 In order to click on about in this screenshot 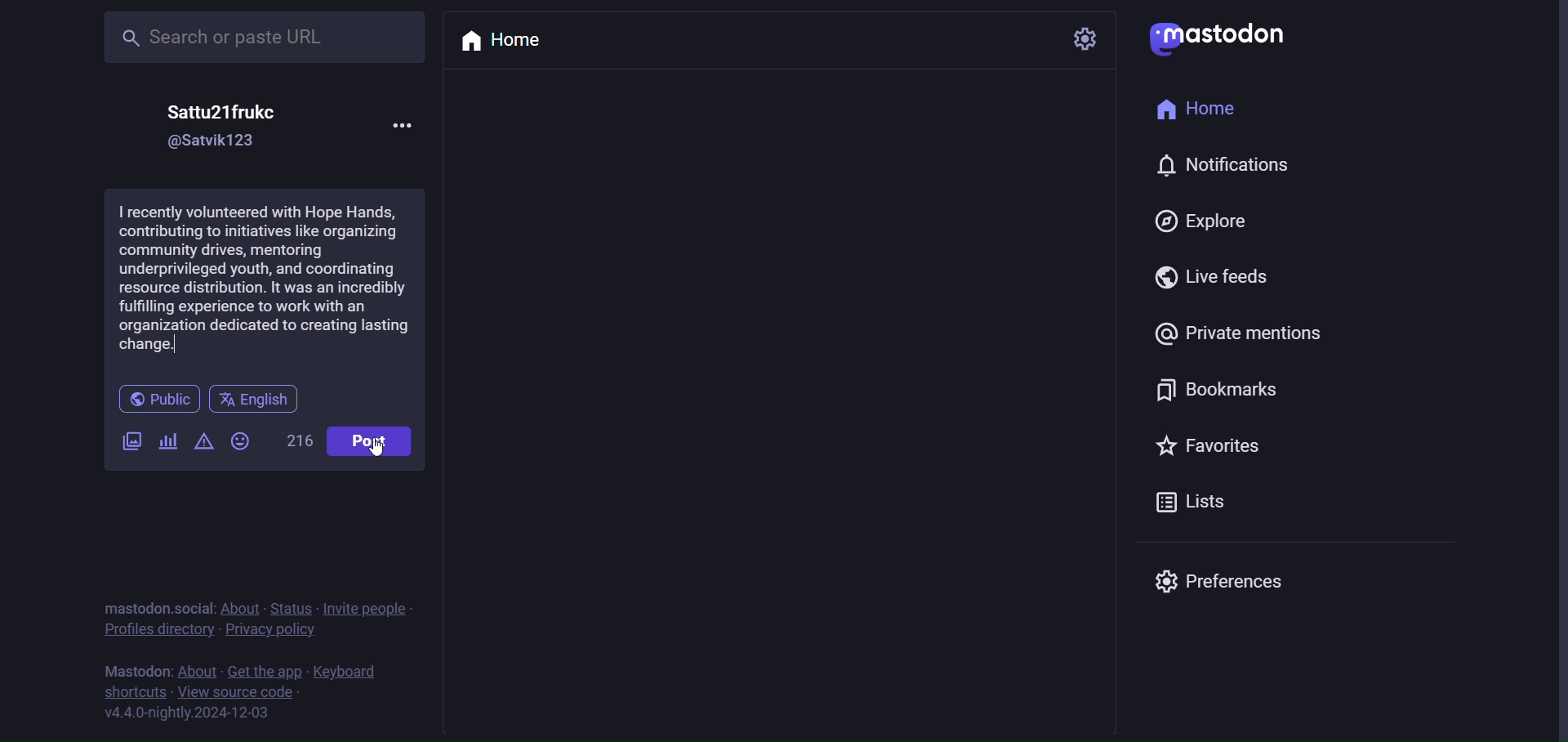, I will do `click(197, 670)`.